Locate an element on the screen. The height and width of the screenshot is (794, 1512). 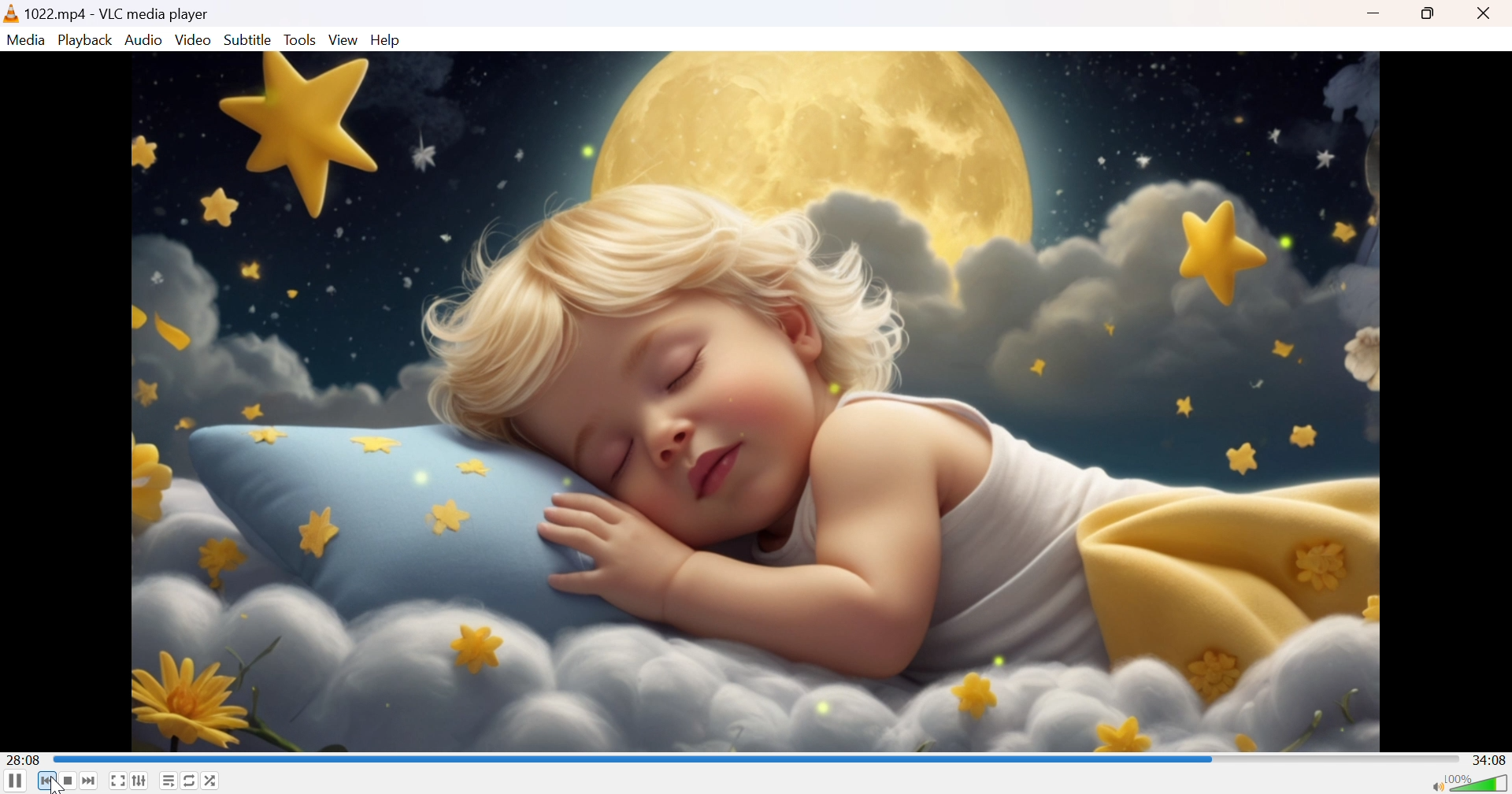
34:08 is located at coordinates (1491, 759).